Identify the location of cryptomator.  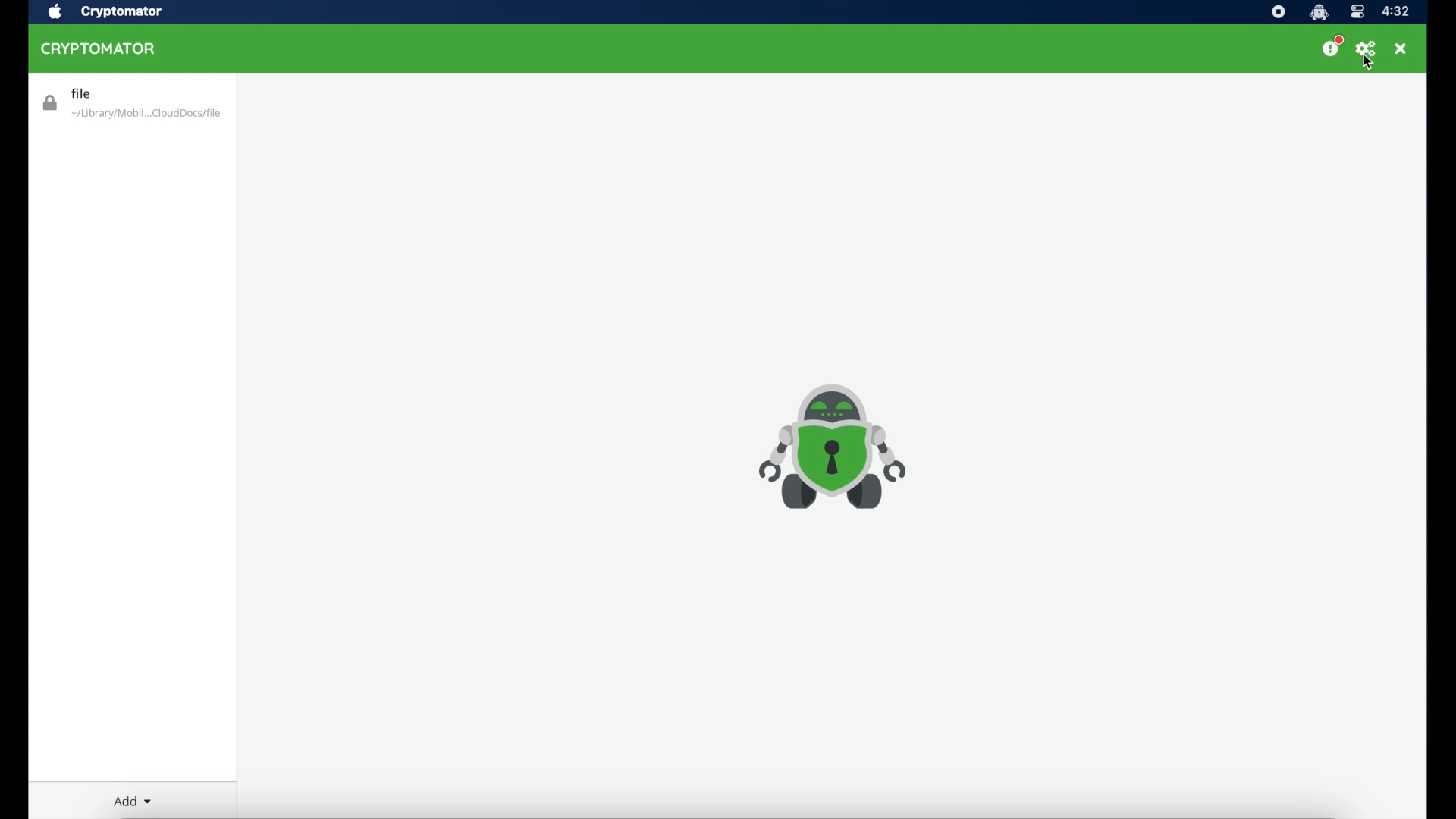
(1318, 12).